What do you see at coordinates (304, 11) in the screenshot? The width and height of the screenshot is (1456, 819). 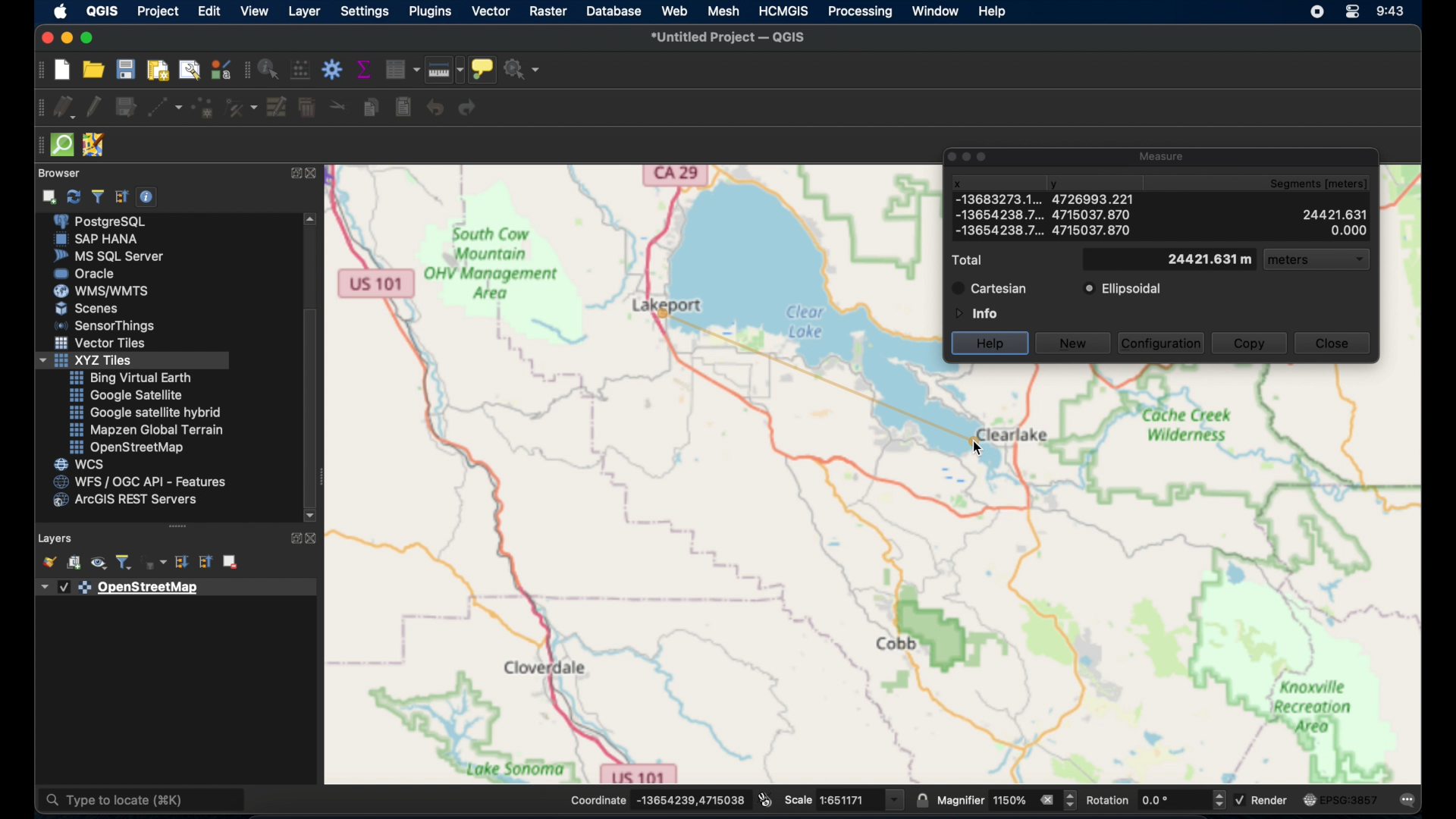 I see `layer` at bounding box center [304, 11].